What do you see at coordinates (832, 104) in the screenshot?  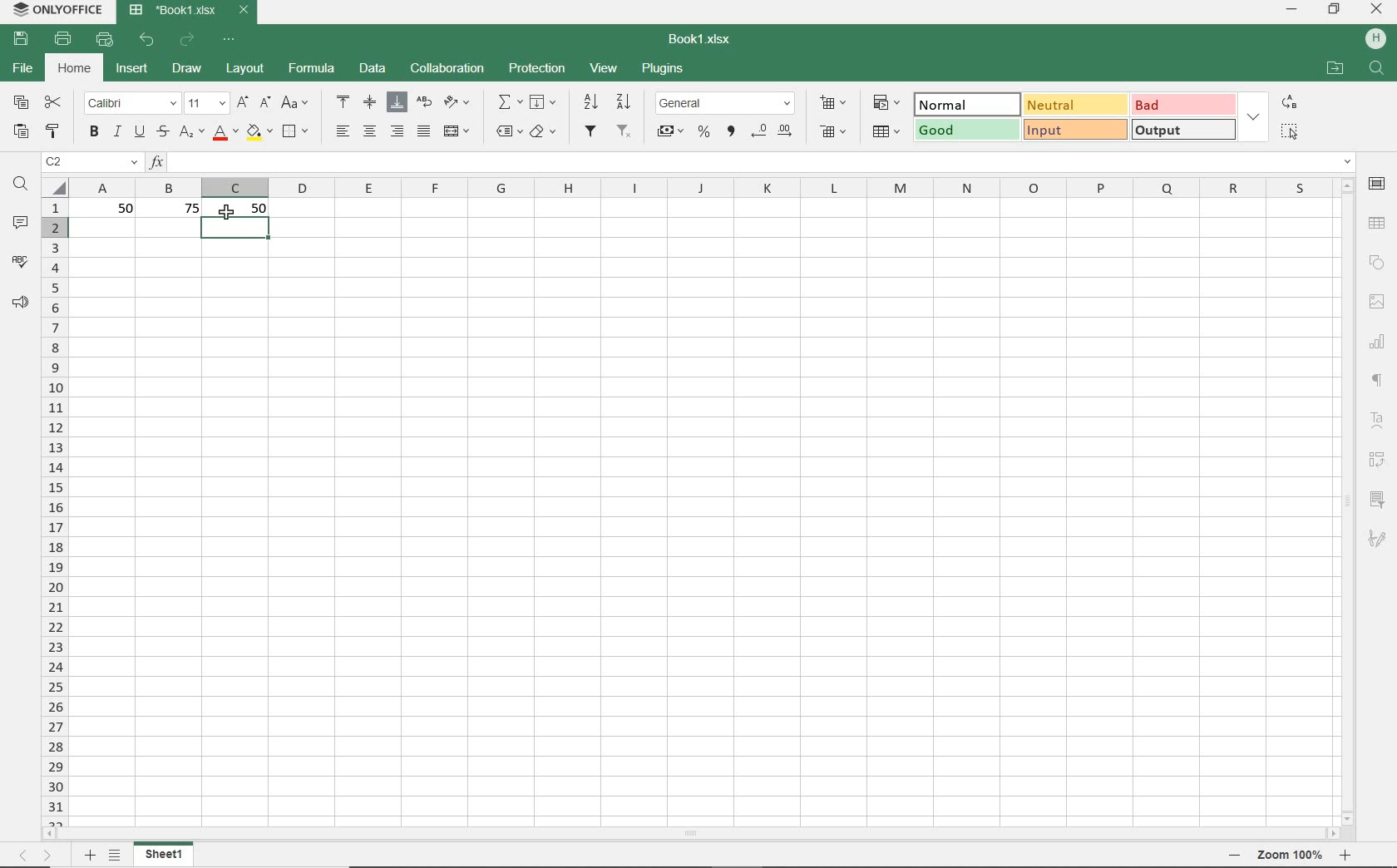 I see `insert cells` at bounding box center [832, 104].